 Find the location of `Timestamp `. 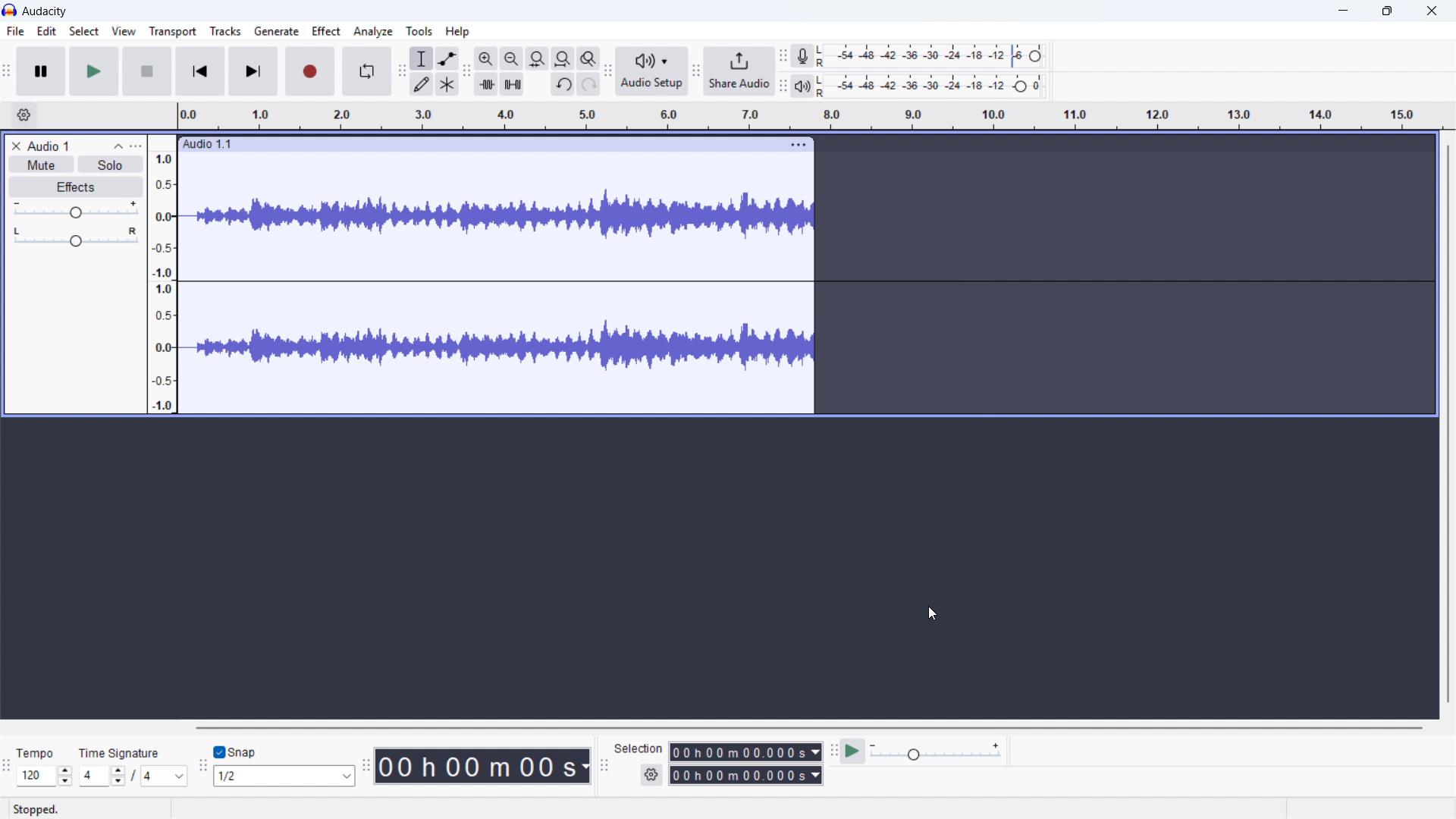

Timestamp  is located at coordinates (484, 767).